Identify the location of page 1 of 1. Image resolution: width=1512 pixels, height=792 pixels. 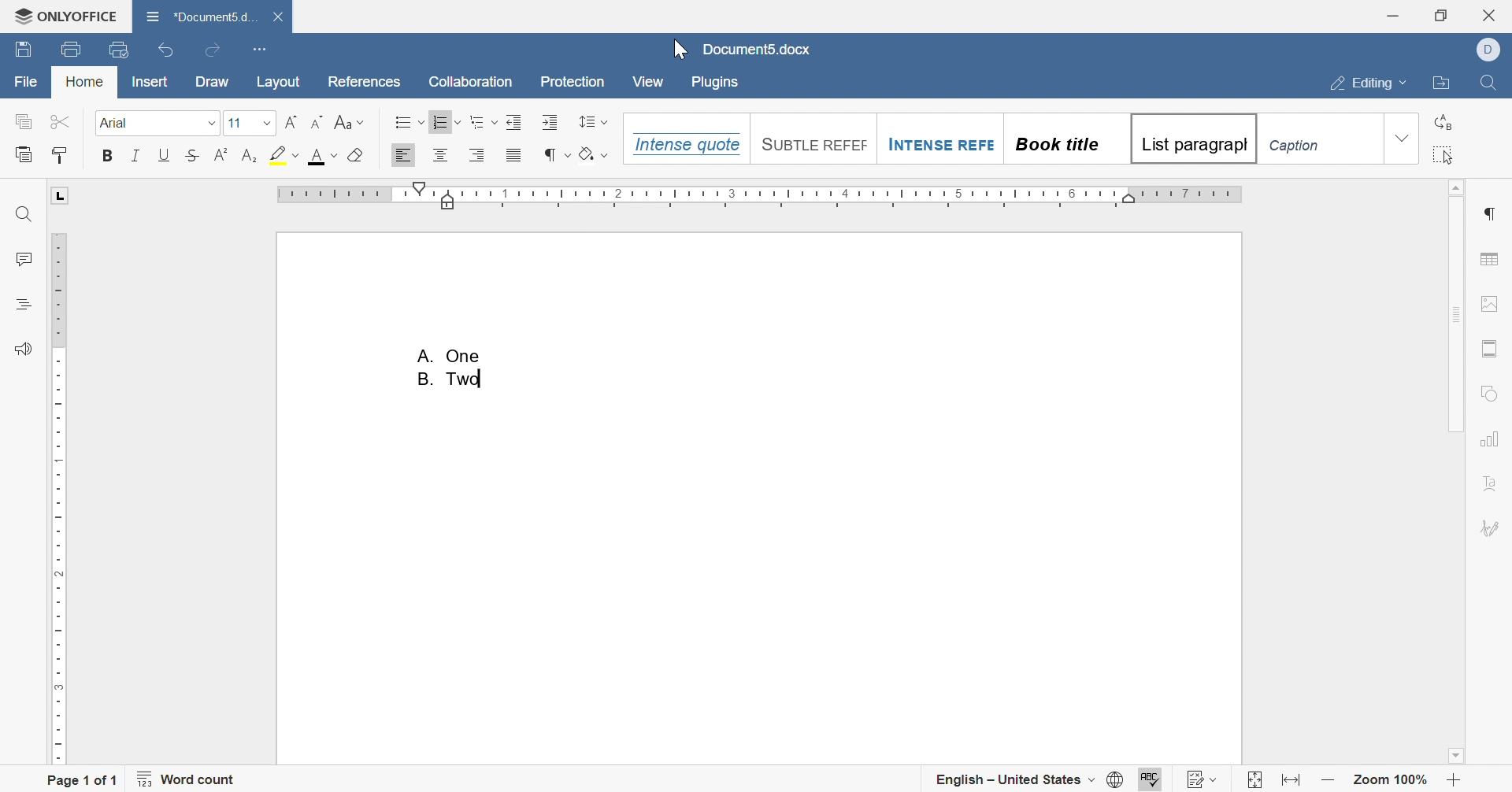
(83, 780).